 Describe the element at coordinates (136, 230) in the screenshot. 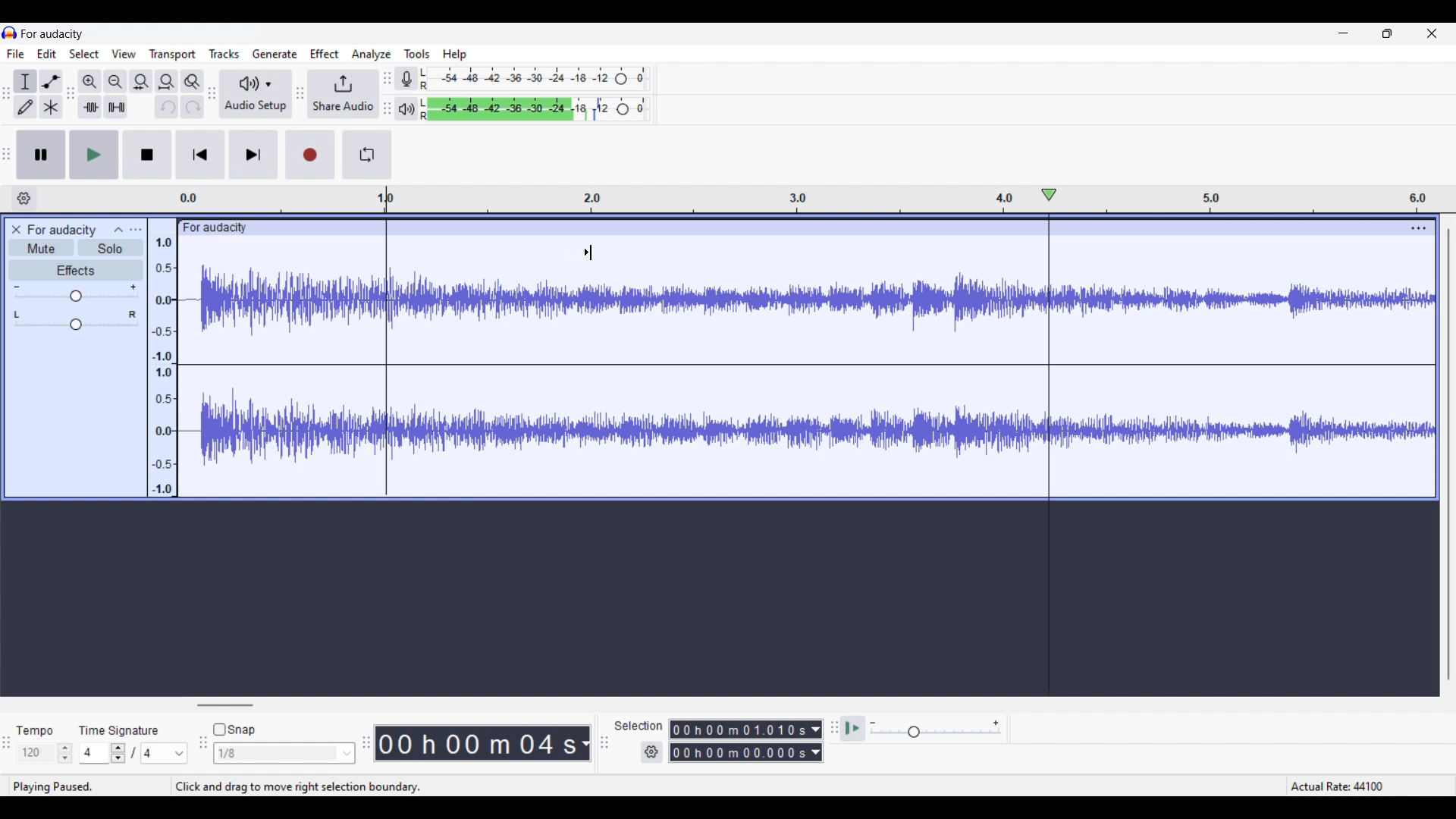

I see `Open menu` at that location.